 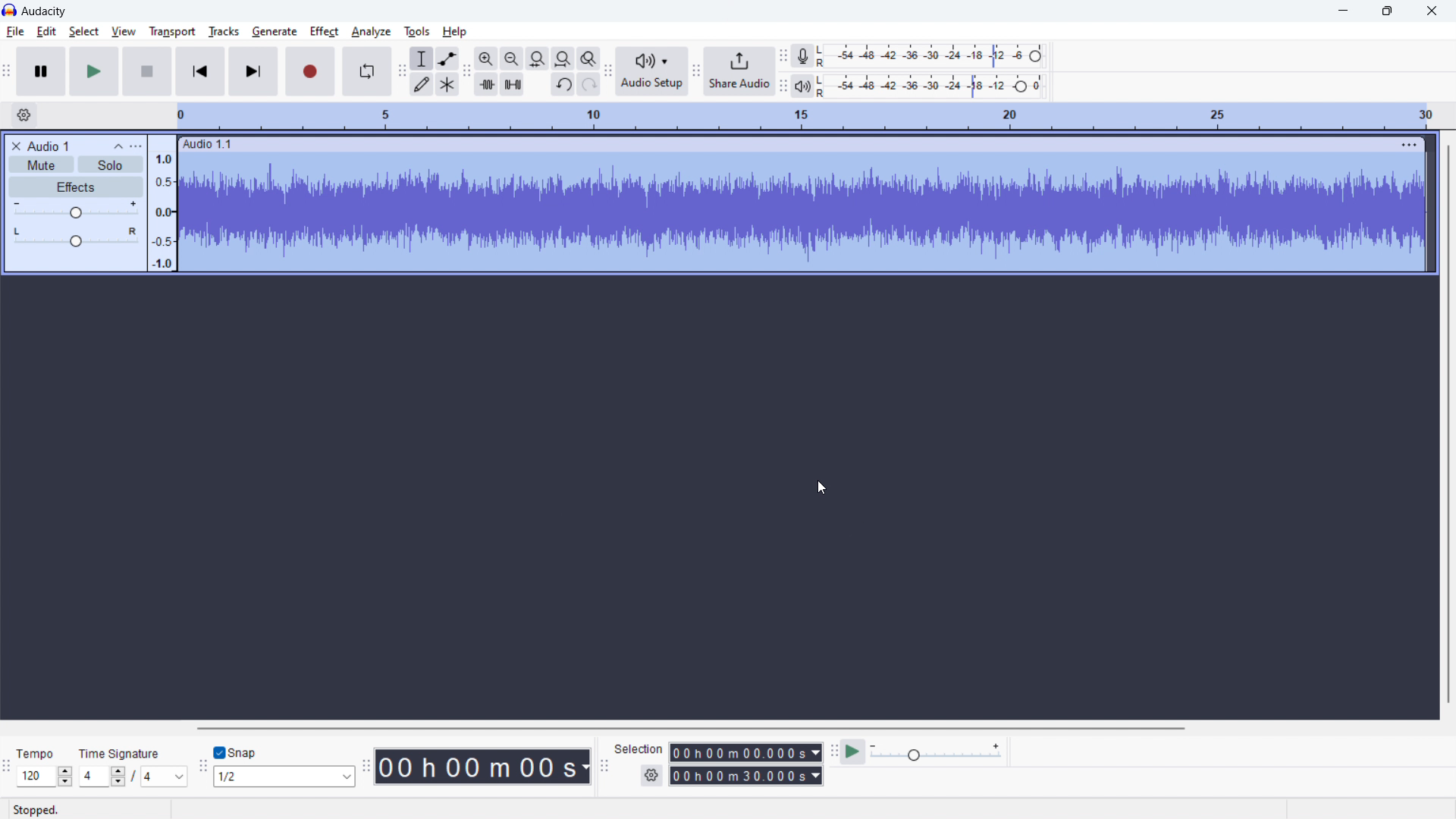 I want to click on time signature toolbar, so click(x=8, y=768).